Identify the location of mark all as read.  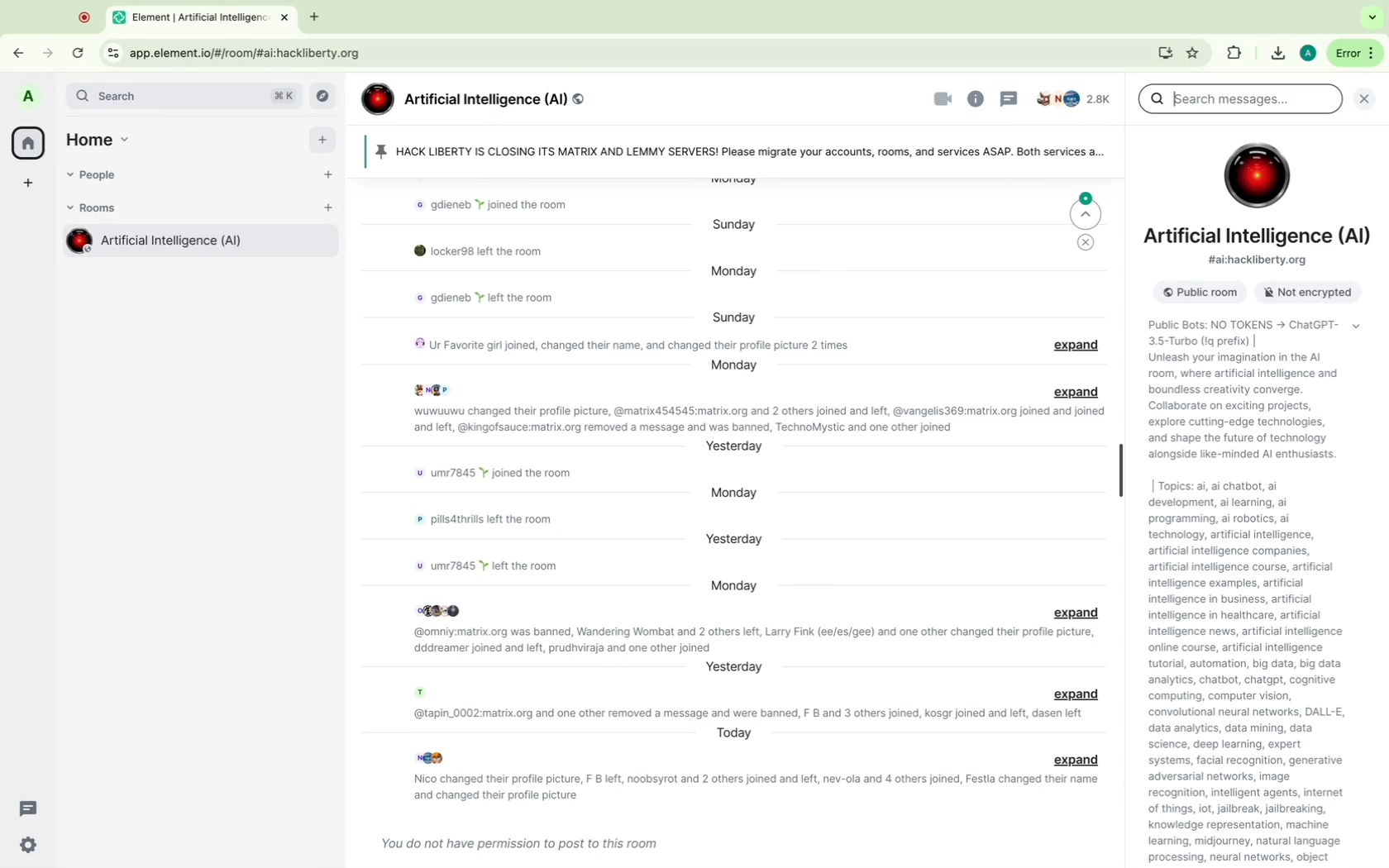
(1086, 244).